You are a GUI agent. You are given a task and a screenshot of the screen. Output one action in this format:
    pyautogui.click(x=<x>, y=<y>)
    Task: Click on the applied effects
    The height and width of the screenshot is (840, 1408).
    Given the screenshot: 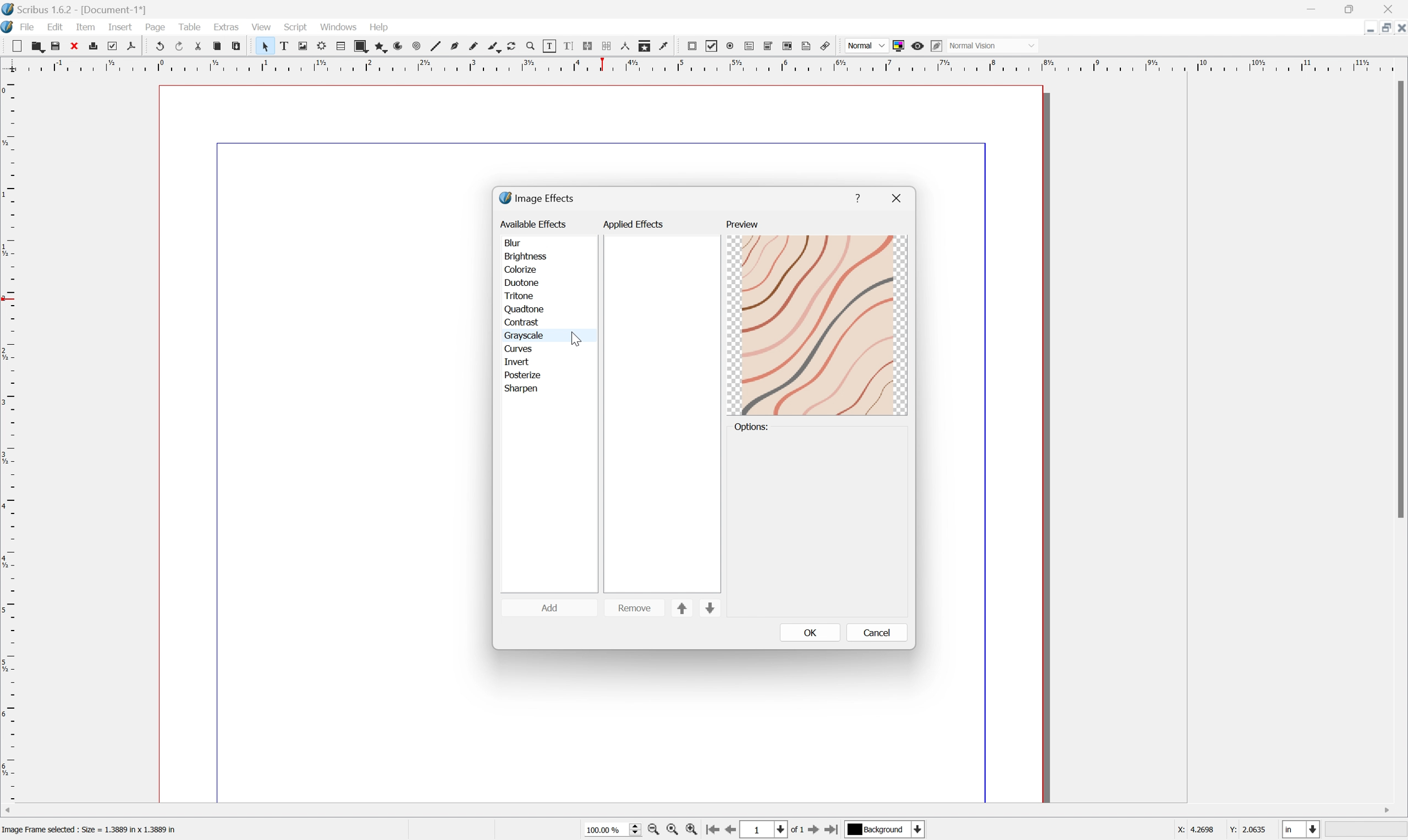 What is the action you would take?
    pyautogui.click(x=635, y=224)
    